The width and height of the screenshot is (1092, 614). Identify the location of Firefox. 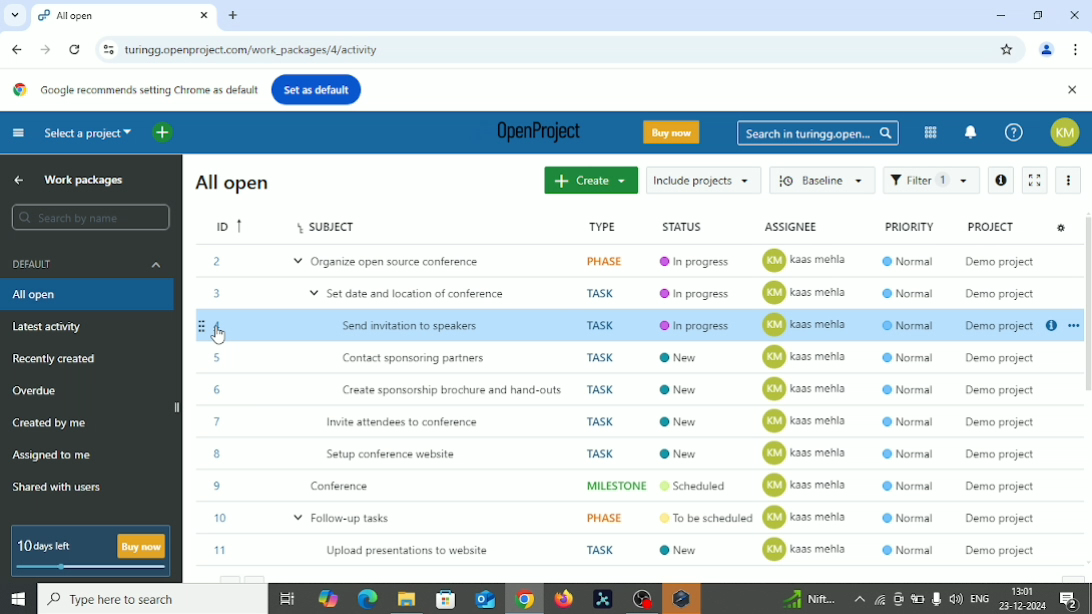
(563, 599).